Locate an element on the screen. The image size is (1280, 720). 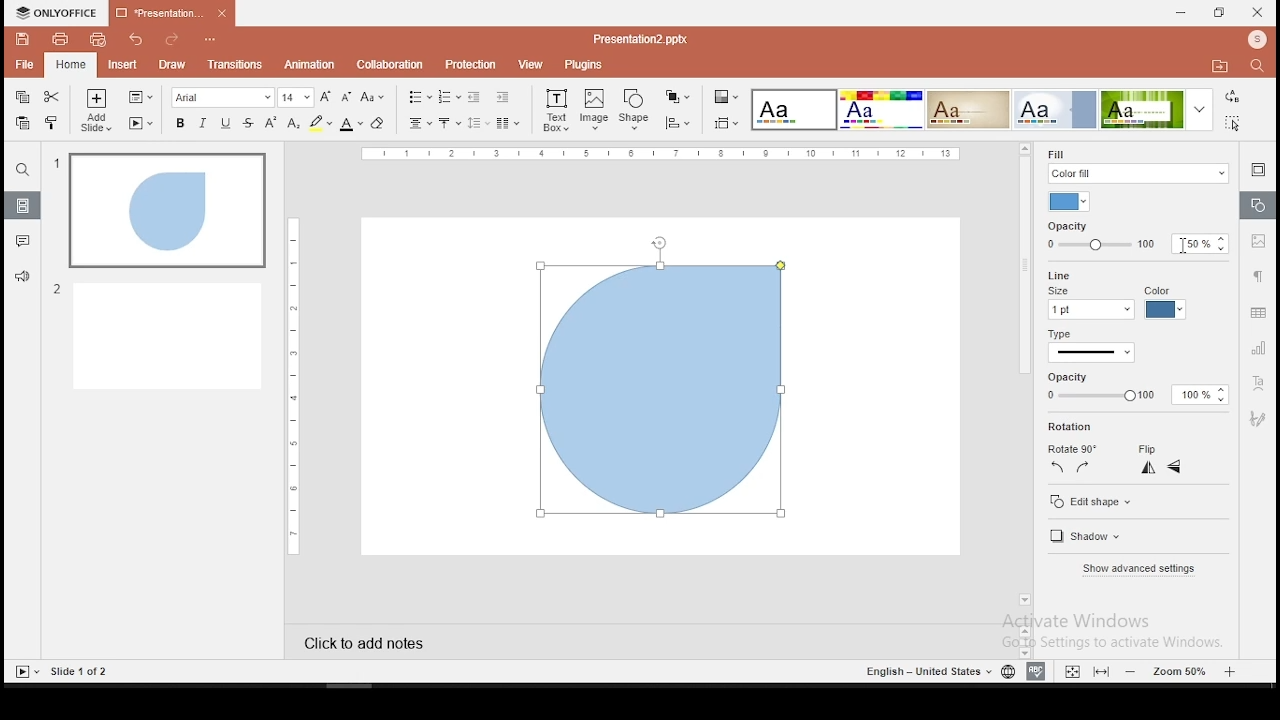
plugins is located at coordinates (584, 64).